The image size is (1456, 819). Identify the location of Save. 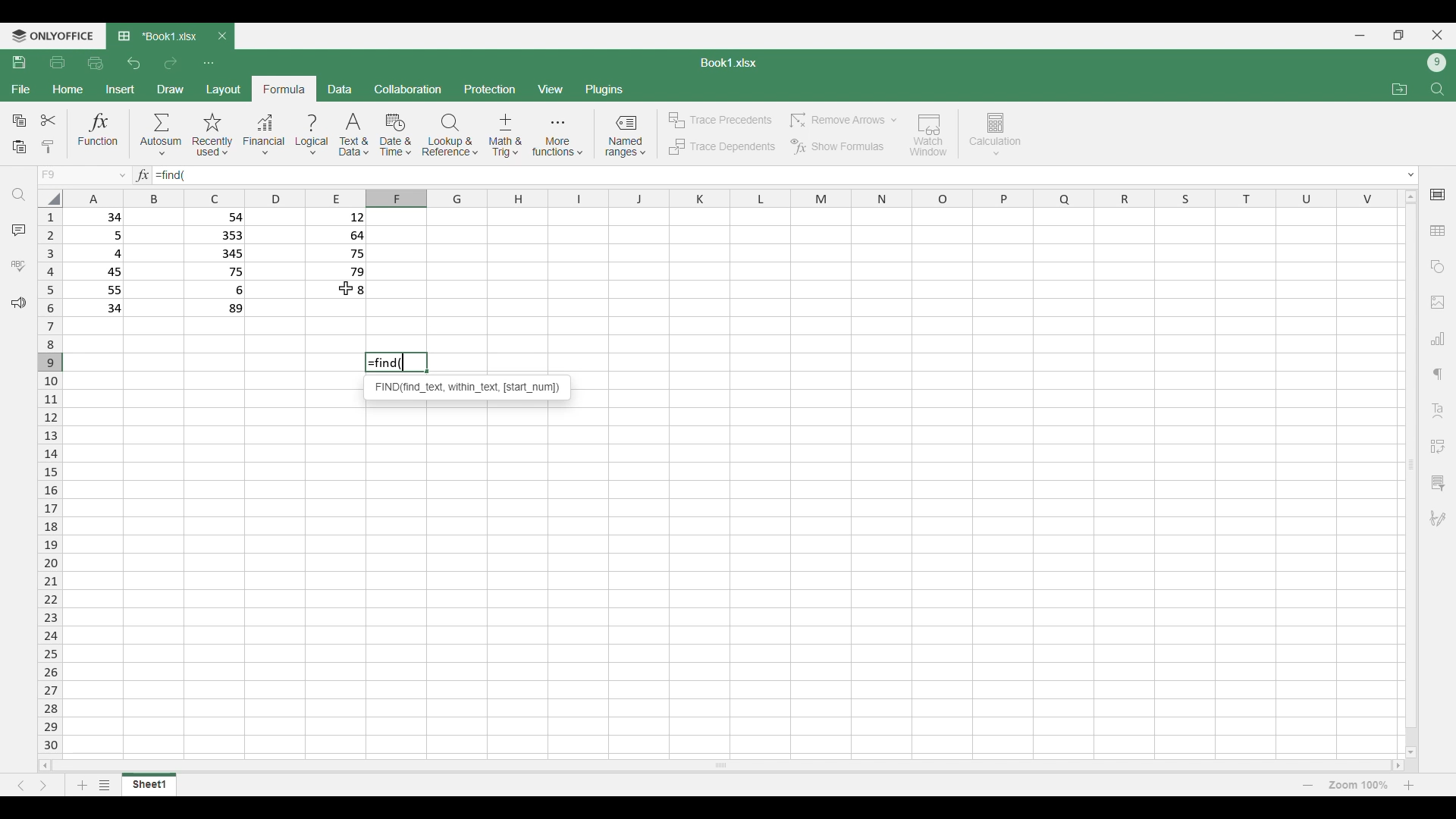
(20, 62).